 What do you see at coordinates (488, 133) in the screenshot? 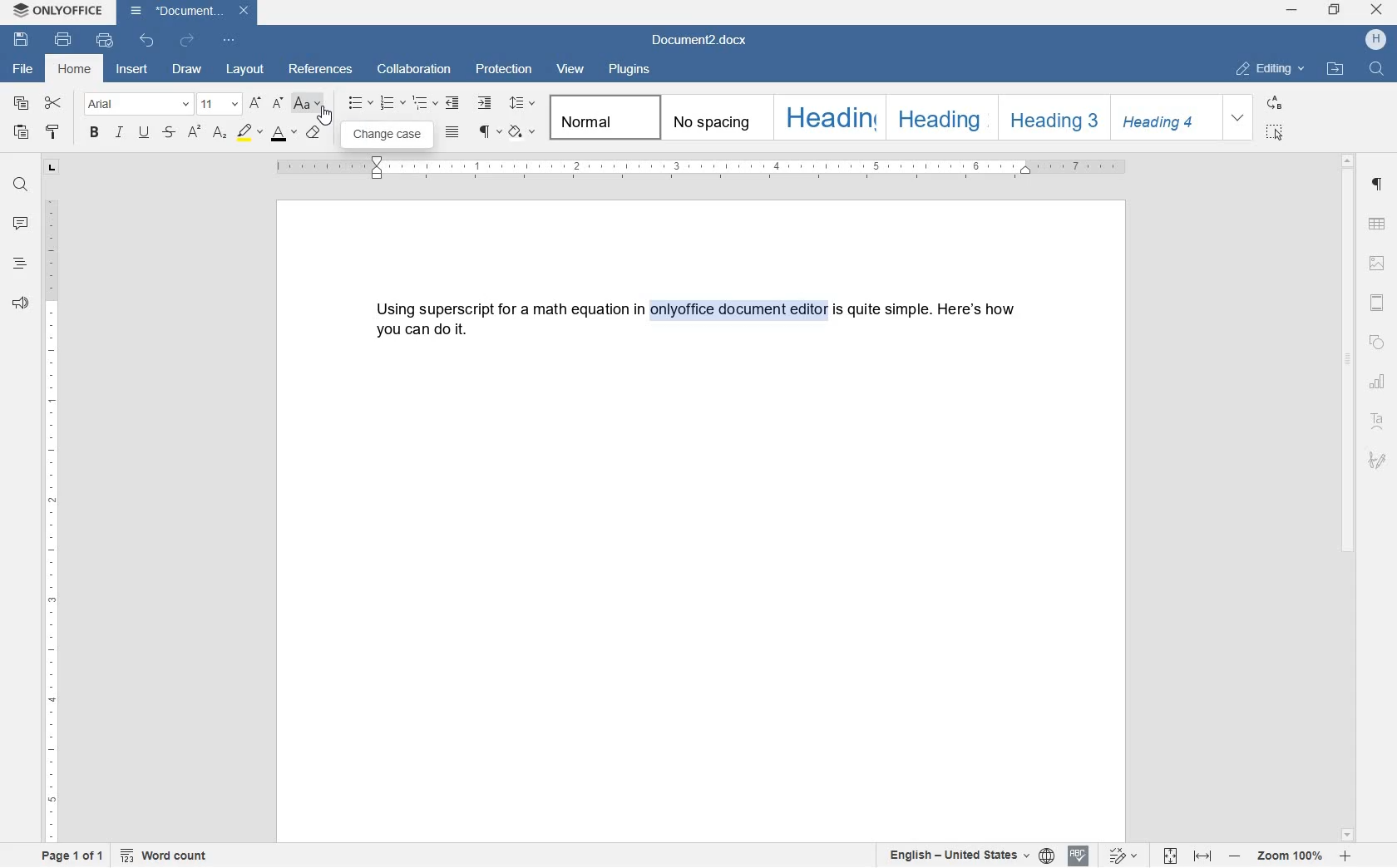
I see `non printing characters` at bounding box center [488, 133].